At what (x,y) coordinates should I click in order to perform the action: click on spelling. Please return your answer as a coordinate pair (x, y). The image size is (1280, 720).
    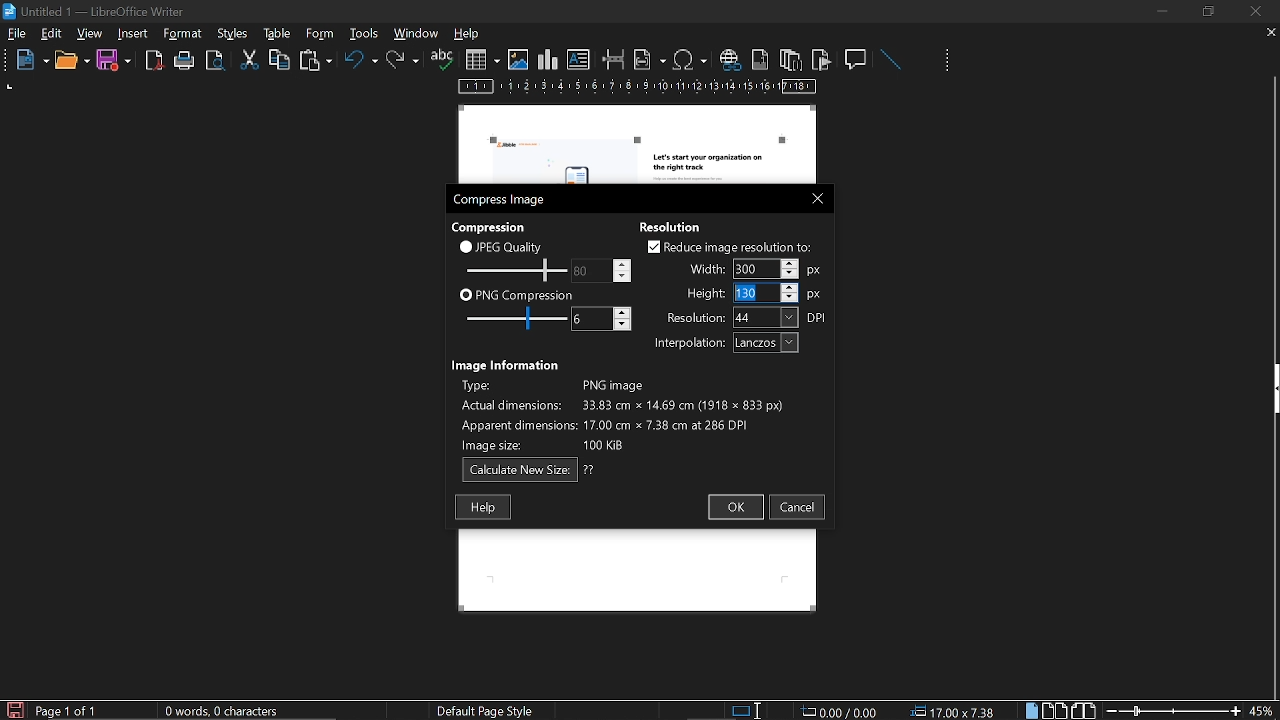
    Looking at the image, I should click on (442, 60).